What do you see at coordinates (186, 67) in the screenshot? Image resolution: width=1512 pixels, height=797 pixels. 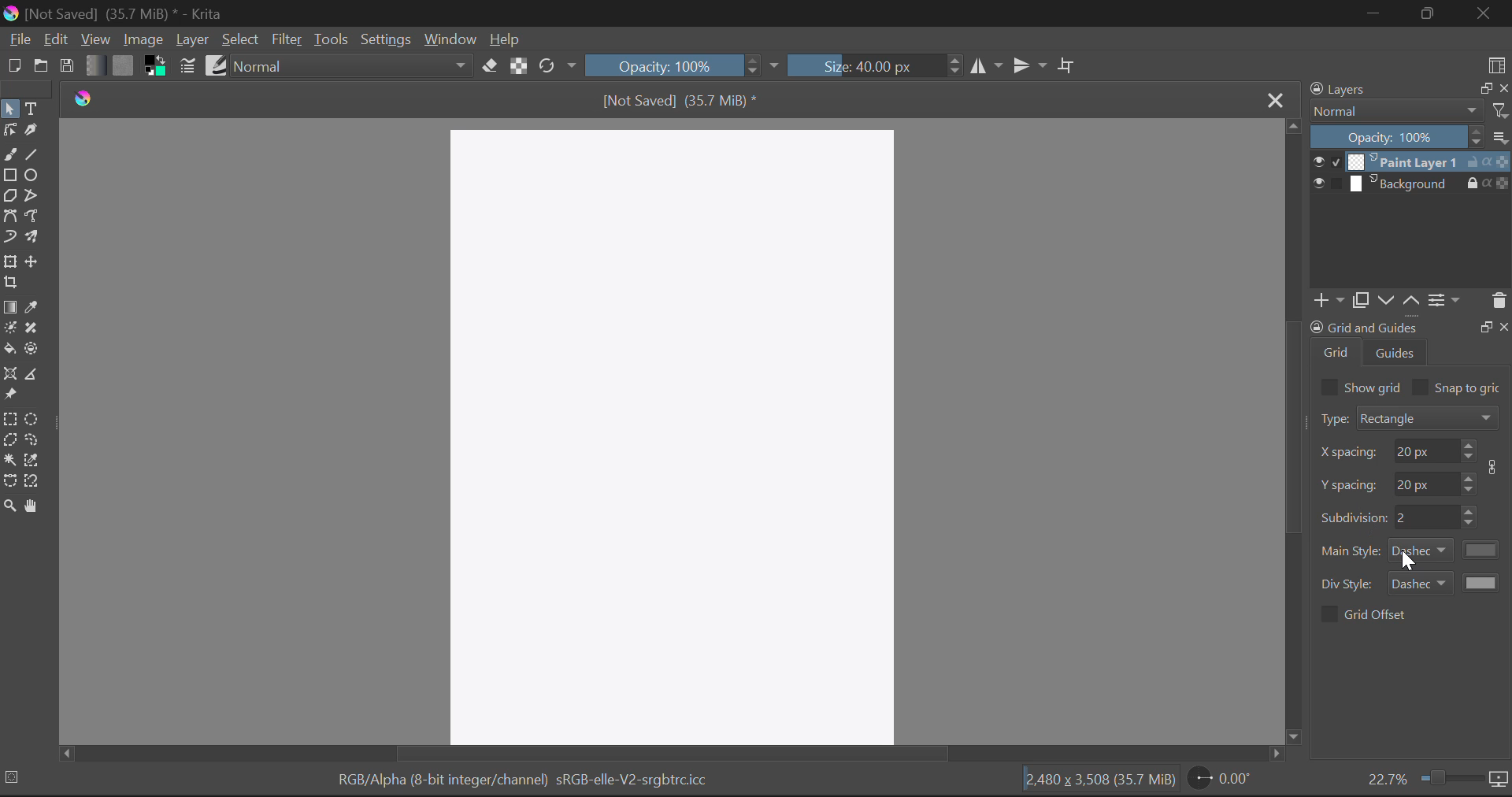 I see `Brush Settings` at bounding box center [186, 67].